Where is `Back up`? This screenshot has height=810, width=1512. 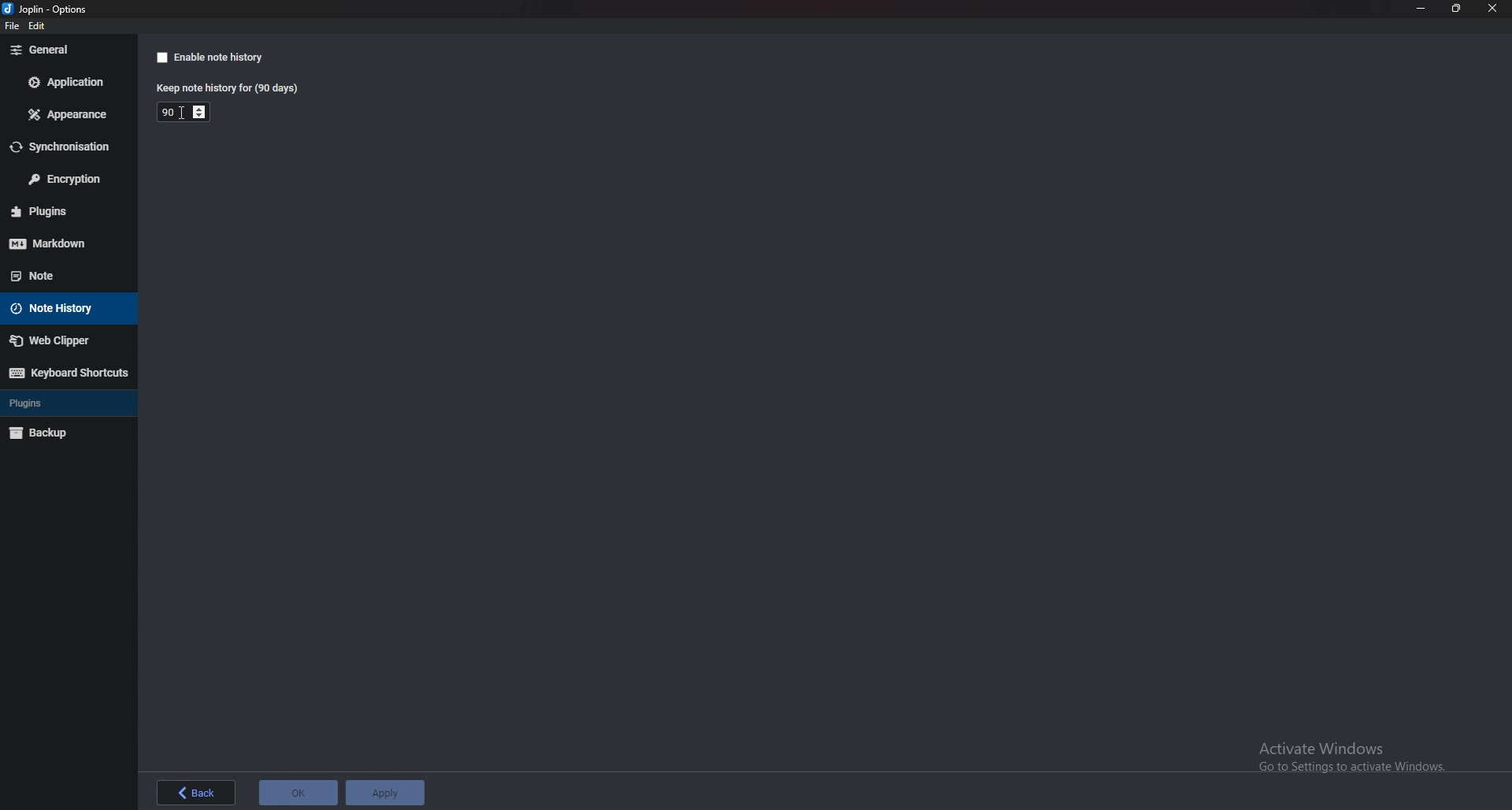 Back up is located at coordinates (60, 433).